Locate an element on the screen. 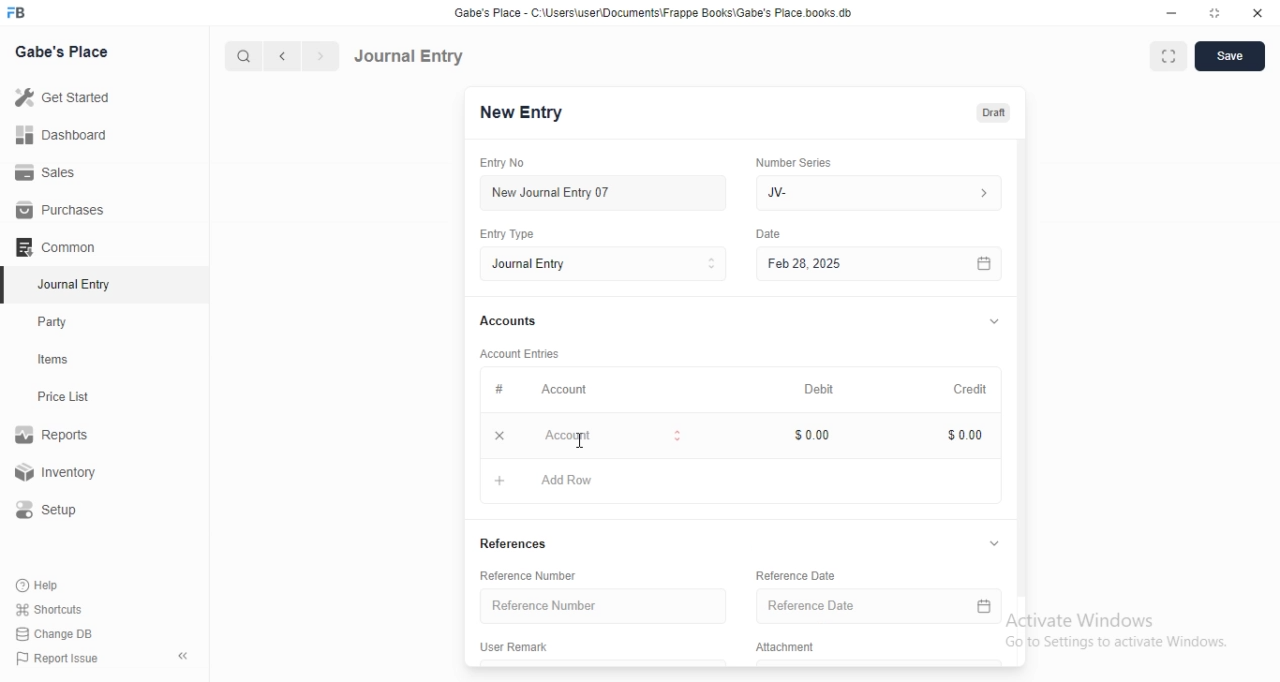  # Account is located at coordinates (538, 390).